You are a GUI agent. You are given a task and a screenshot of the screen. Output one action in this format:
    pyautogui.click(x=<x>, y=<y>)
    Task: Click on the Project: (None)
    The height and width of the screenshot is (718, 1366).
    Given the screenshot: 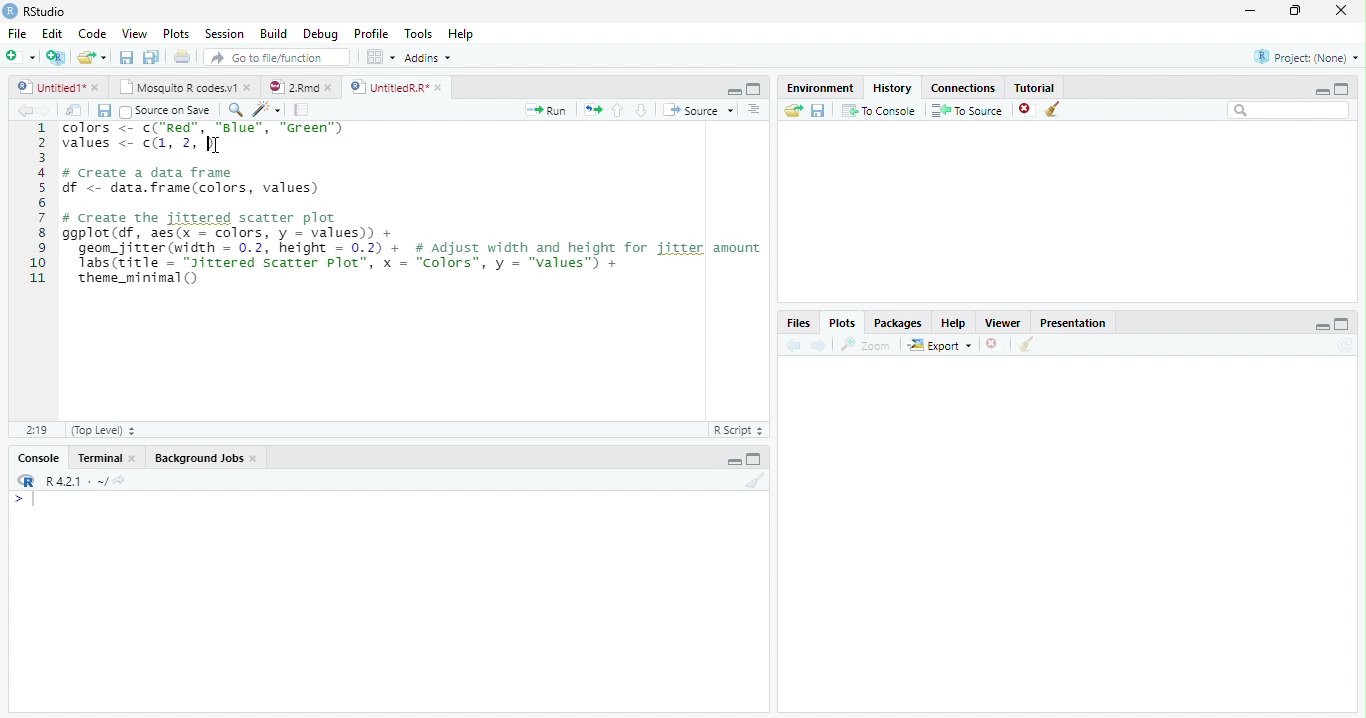 What is the action you would take?
    pyautogui.click(x=1306, y=57)
    